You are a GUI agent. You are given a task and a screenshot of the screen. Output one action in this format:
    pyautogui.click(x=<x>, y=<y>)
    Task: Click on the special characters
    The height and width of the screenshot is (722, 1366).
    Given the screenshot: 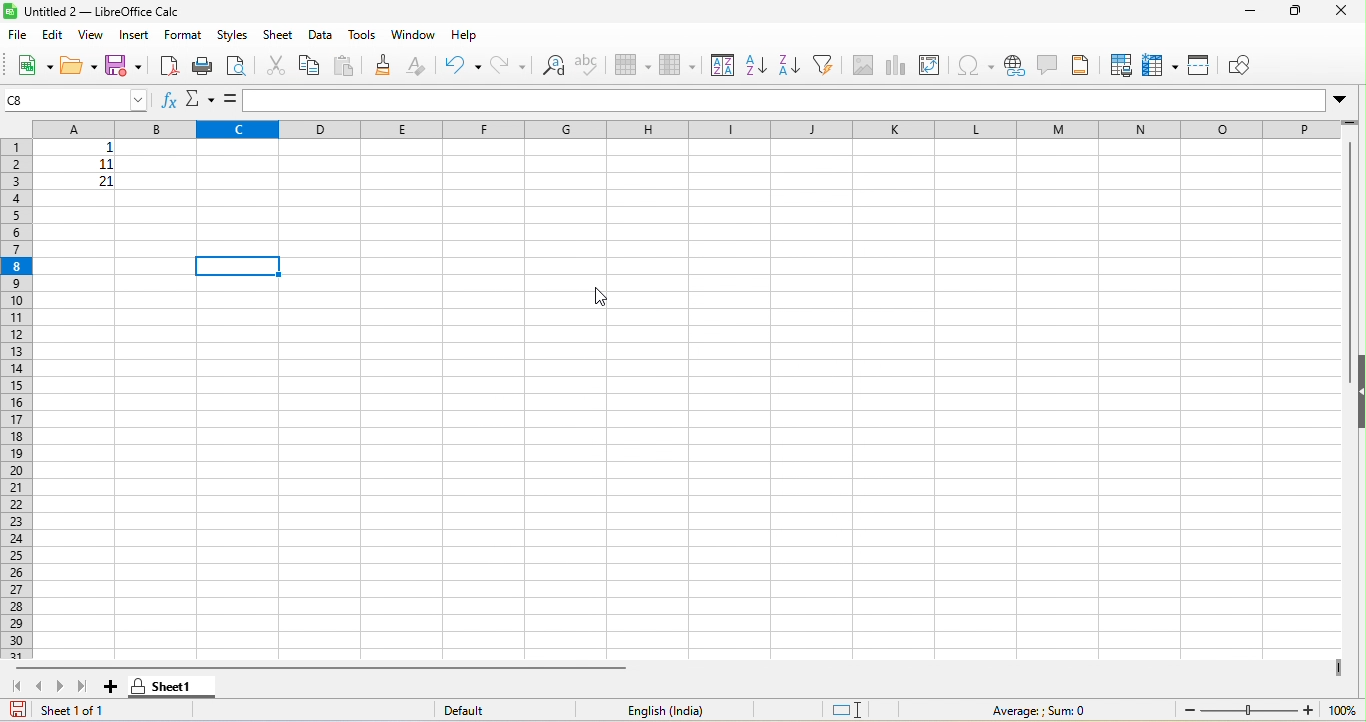 What is the action you would take?
    pyautogui.click(x=988, y=64)
    